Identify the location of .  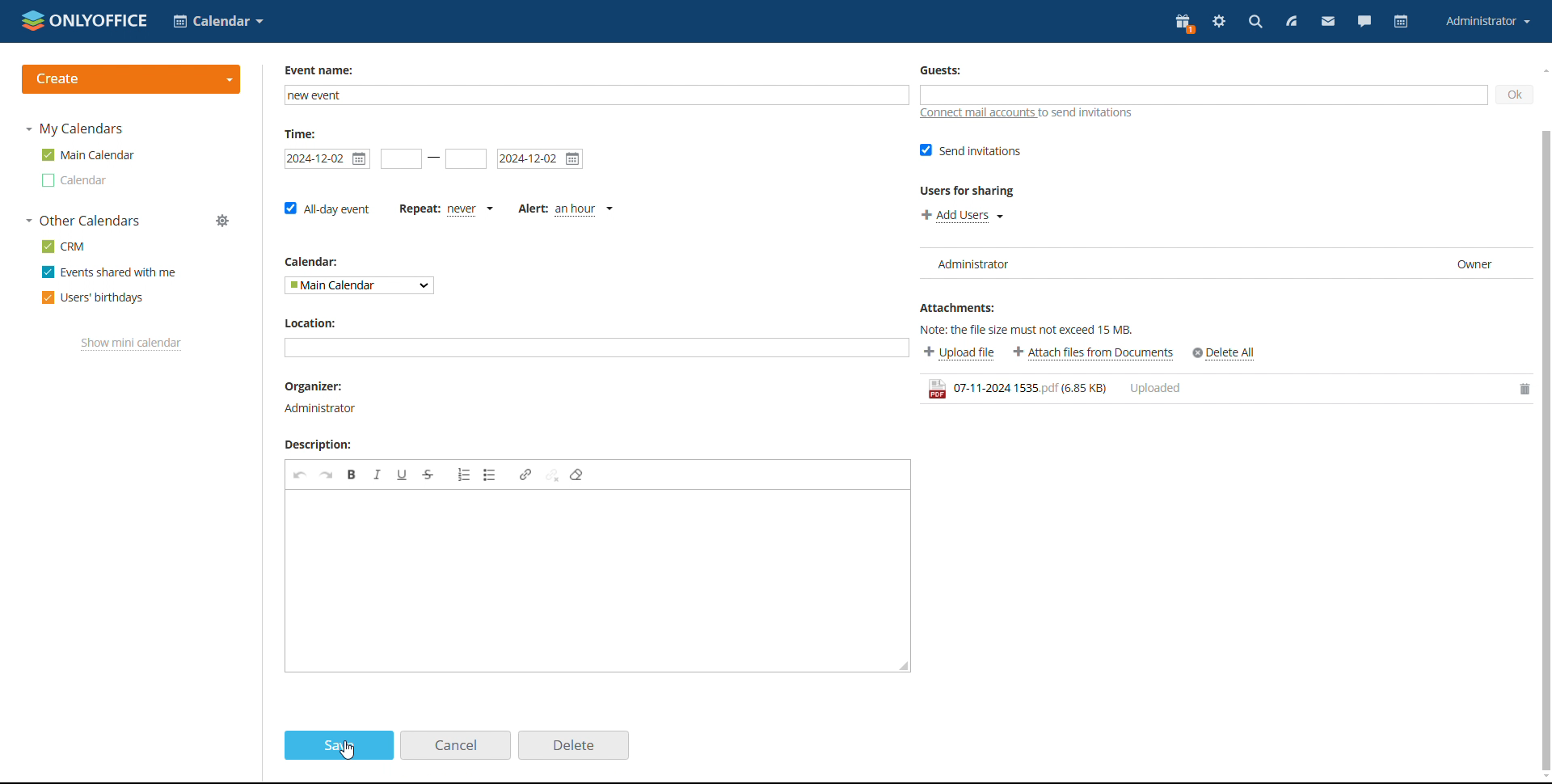
(1225, 351).